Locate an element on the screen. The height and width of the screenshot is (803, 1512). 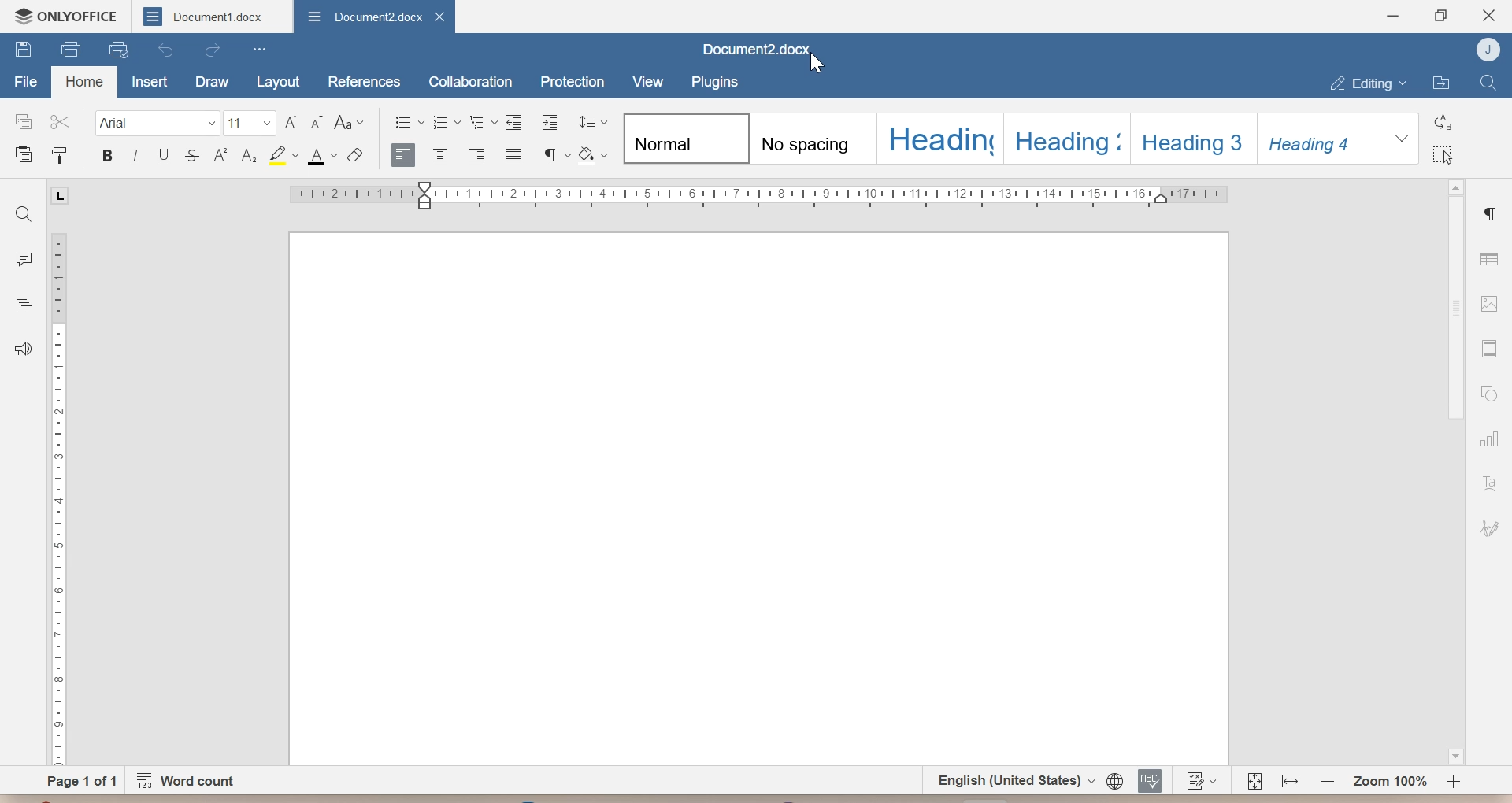
Scale is located at coordinates (57, 497).